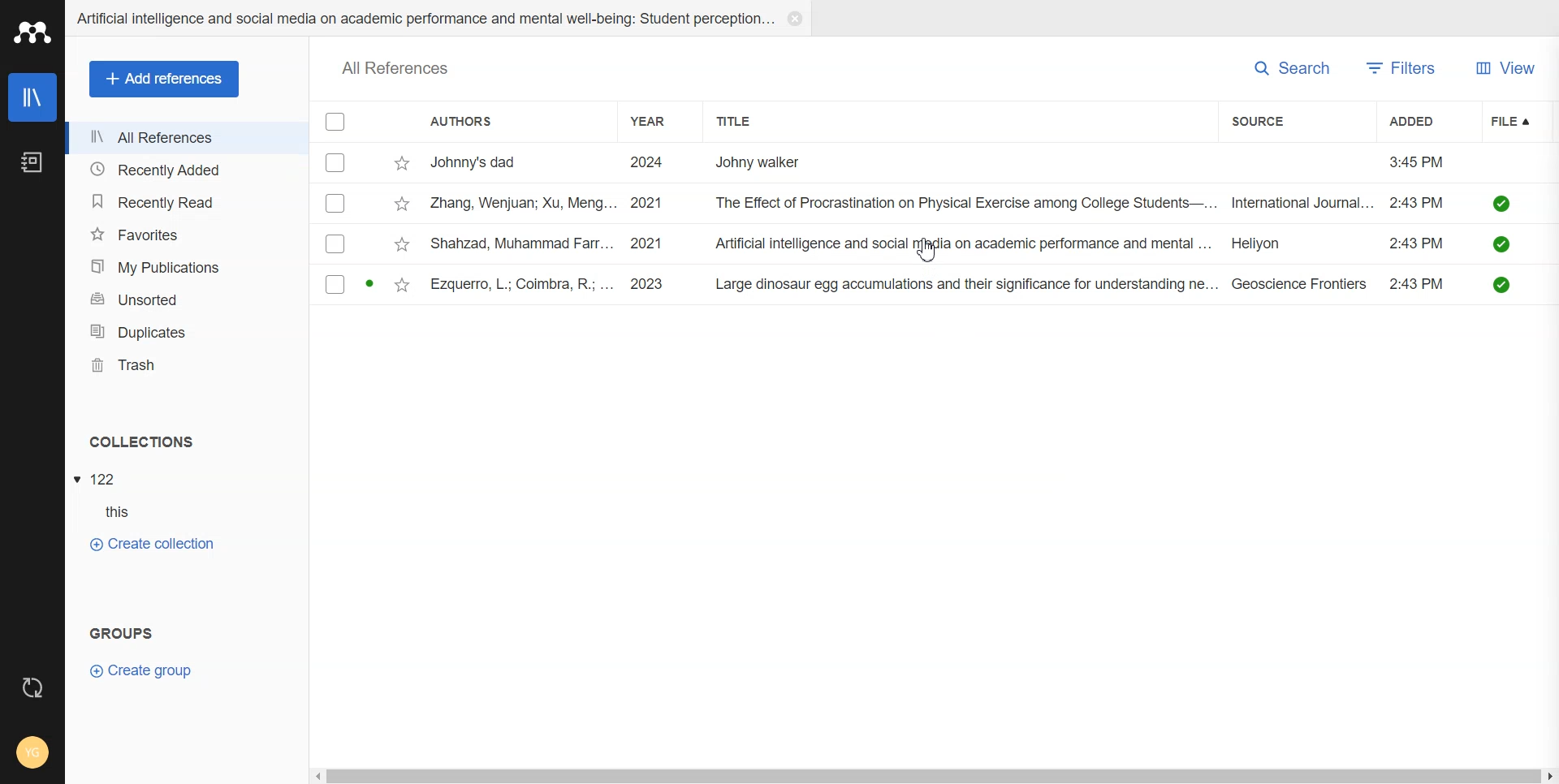  What do you see at coordinates (336, 243) in the screenshot?
I see `Checkbox` at bounding box center [336, 243].